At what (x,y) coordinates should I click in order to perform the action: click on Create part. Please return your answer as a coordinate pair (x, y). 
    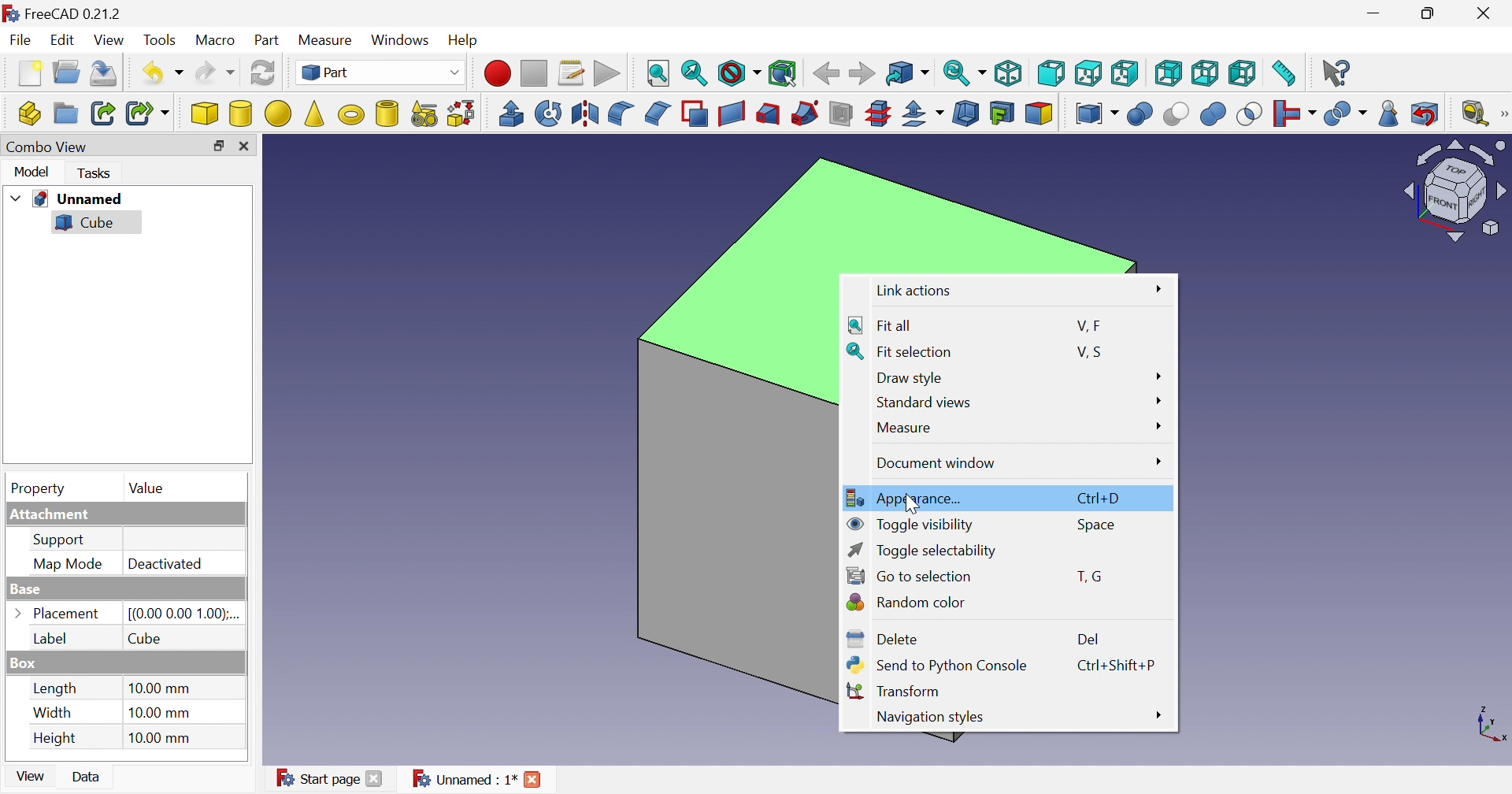
    Looking at the image, I should click on (27, 114).